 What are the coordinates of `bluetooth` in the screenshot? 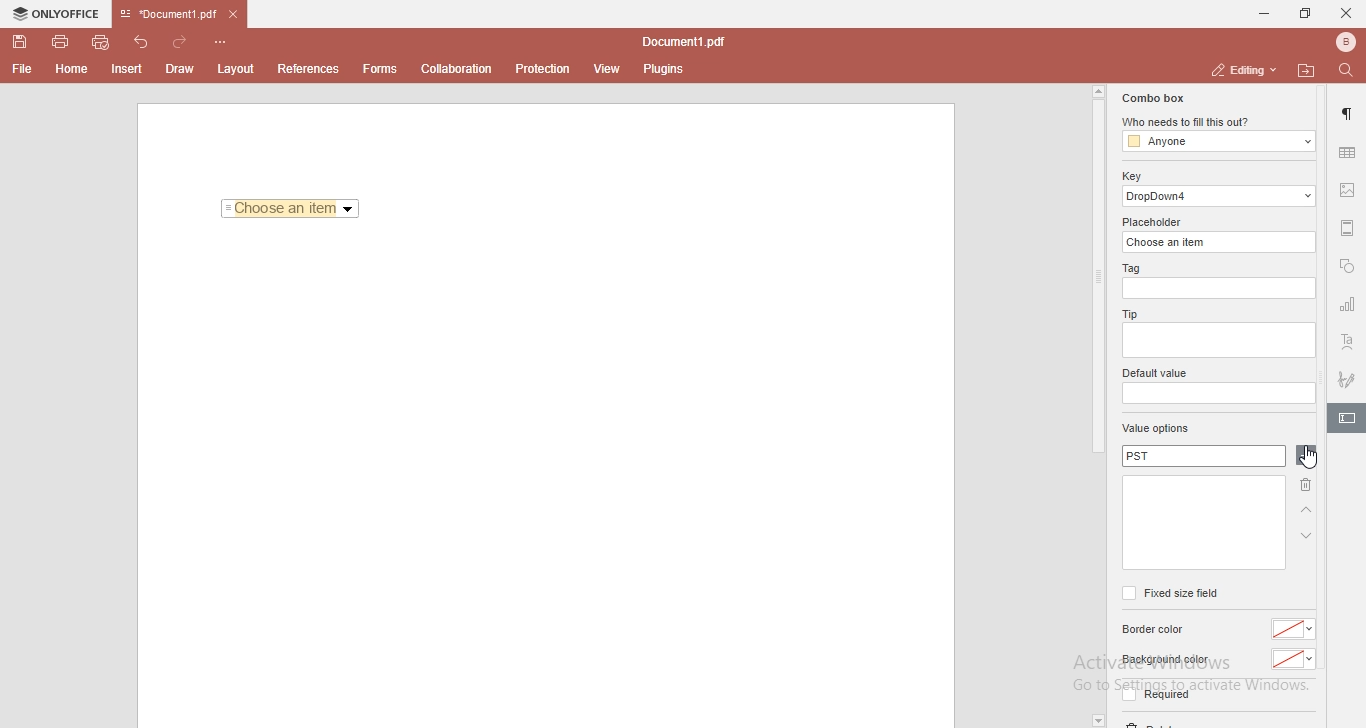 It's located at (1340, 42).